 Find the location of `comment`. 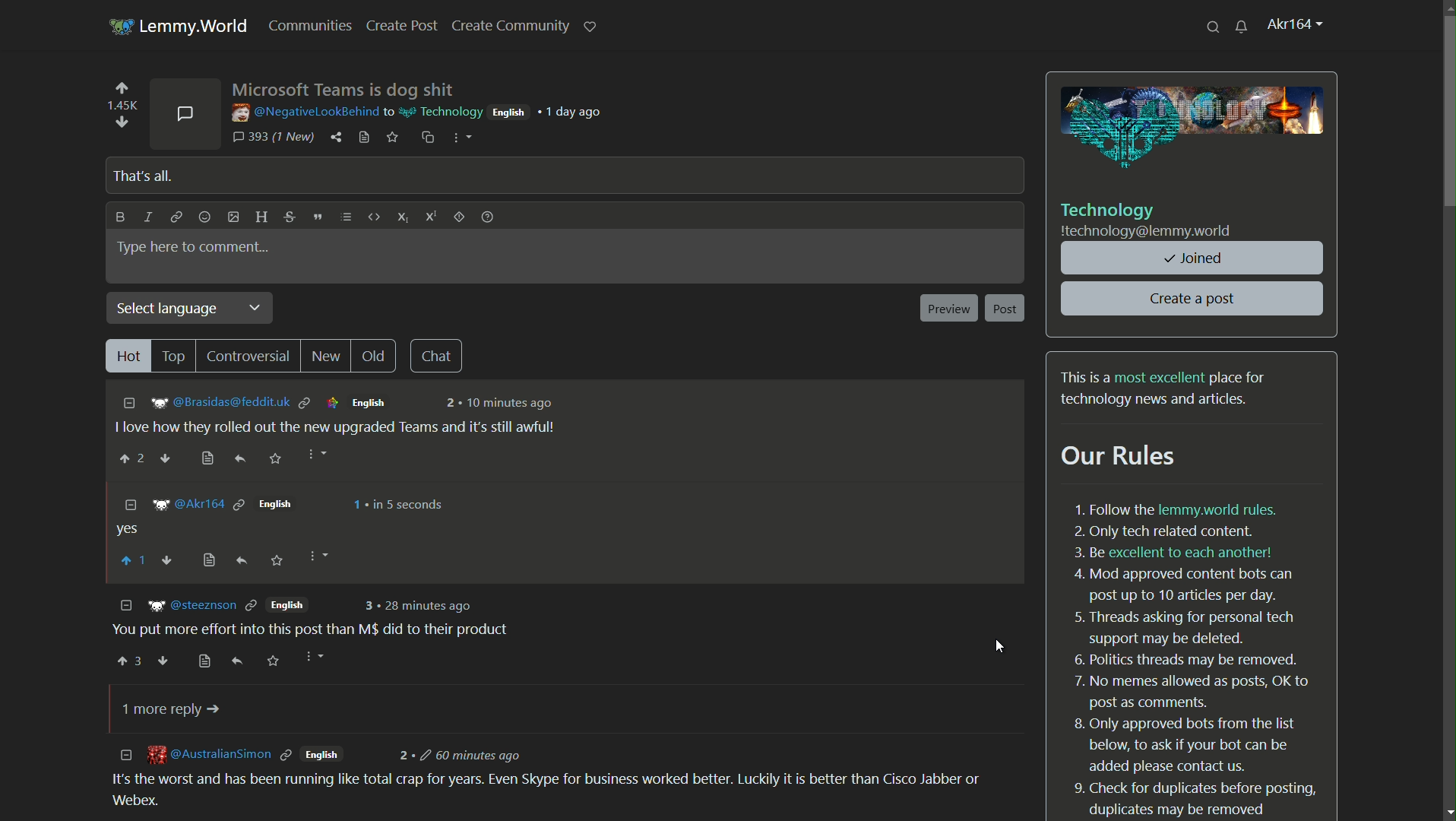

comment is located at coordinates (130, 529).